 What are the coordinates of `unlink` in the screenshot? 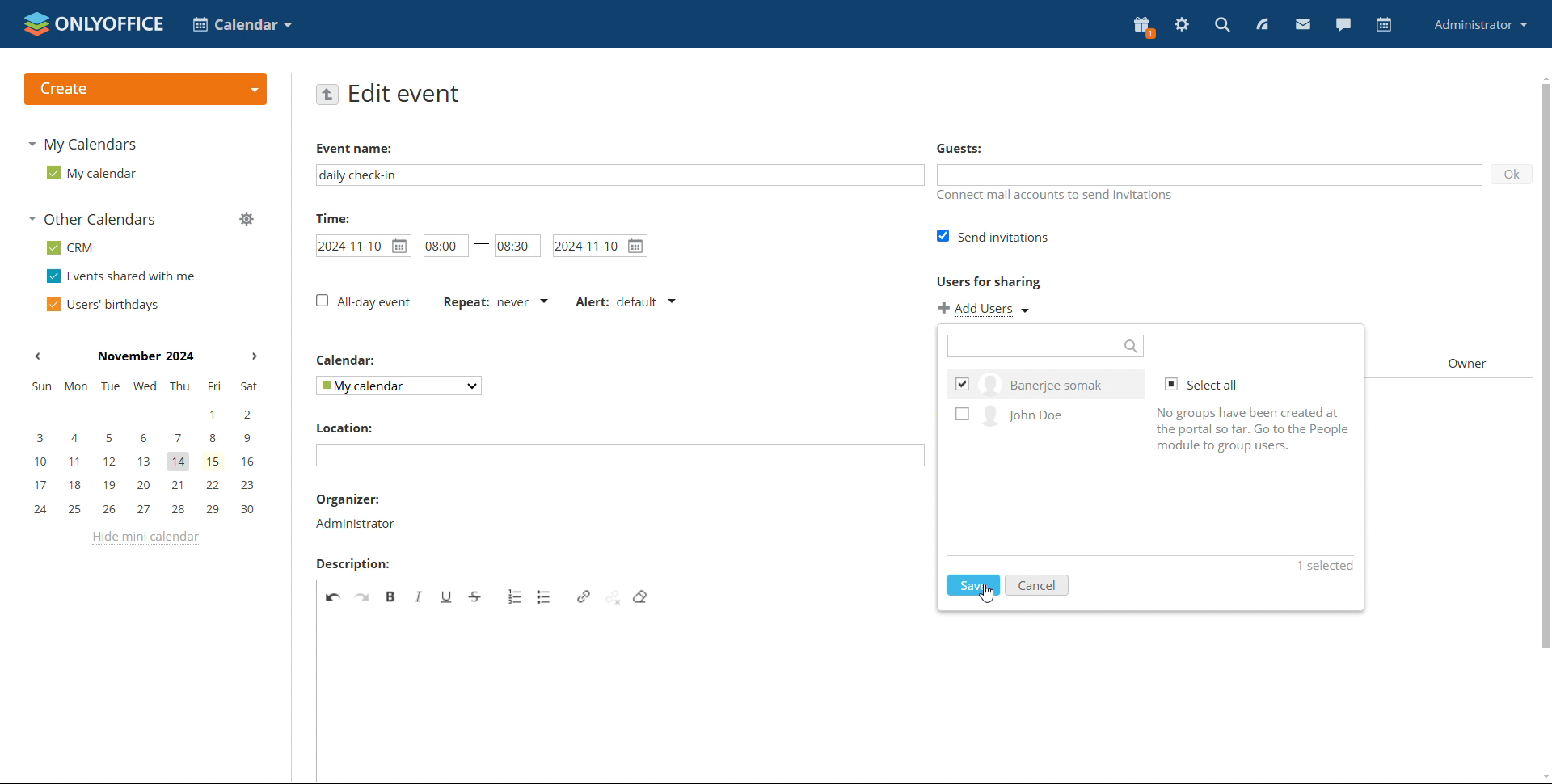 It's located at (614, 595).